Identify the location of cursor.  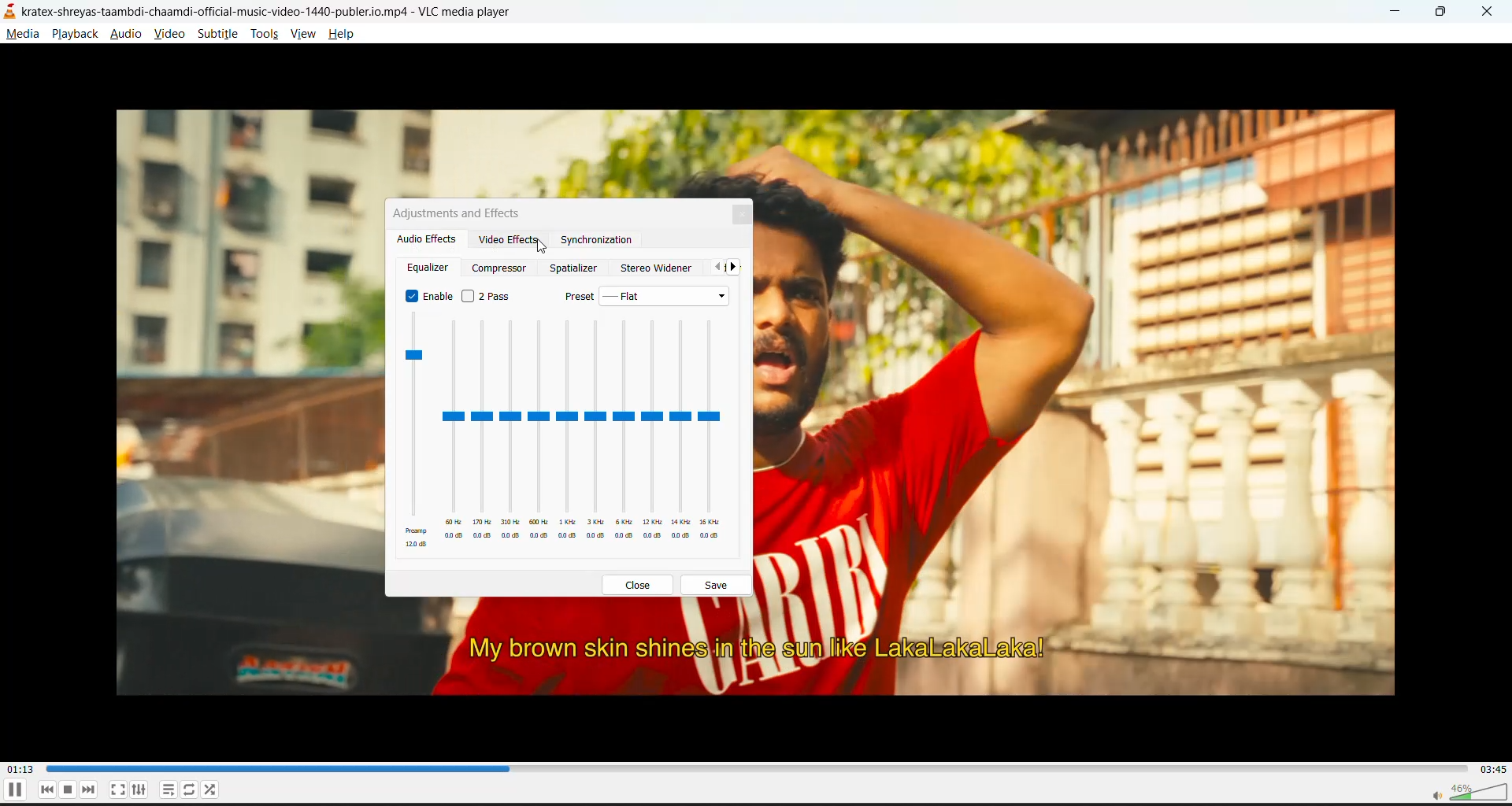
(542, 247).